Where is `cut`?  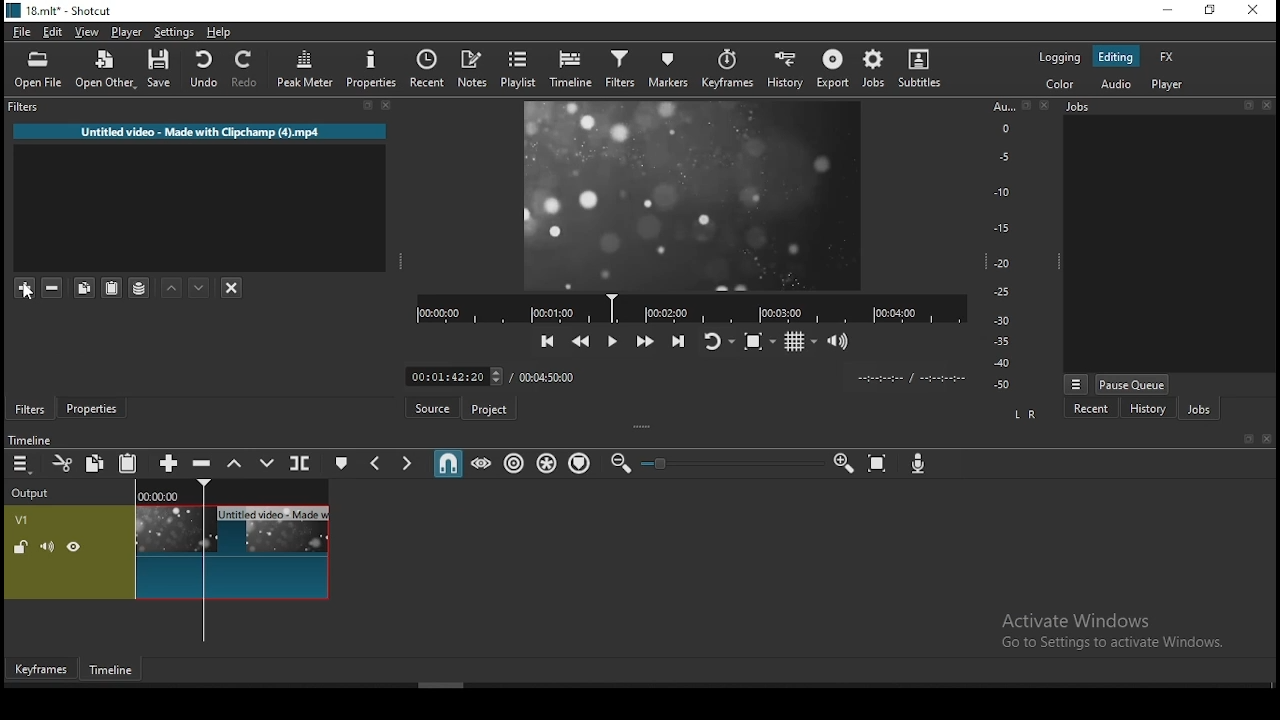
cut is located at coordinates (62, 463).